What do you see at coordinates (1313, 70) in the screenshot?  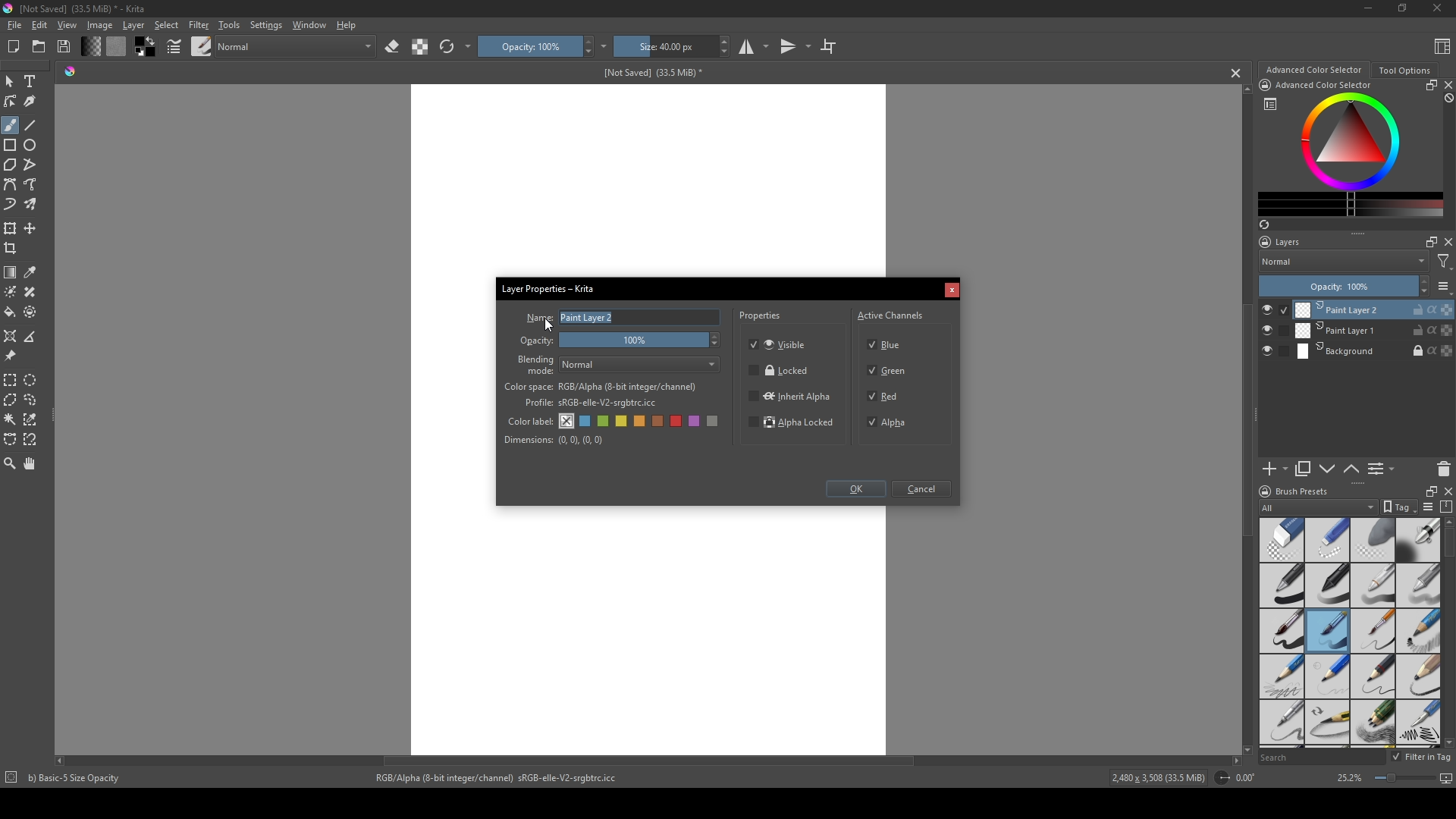 I see `Advanced color selector` at bounding box center [1313, 70].